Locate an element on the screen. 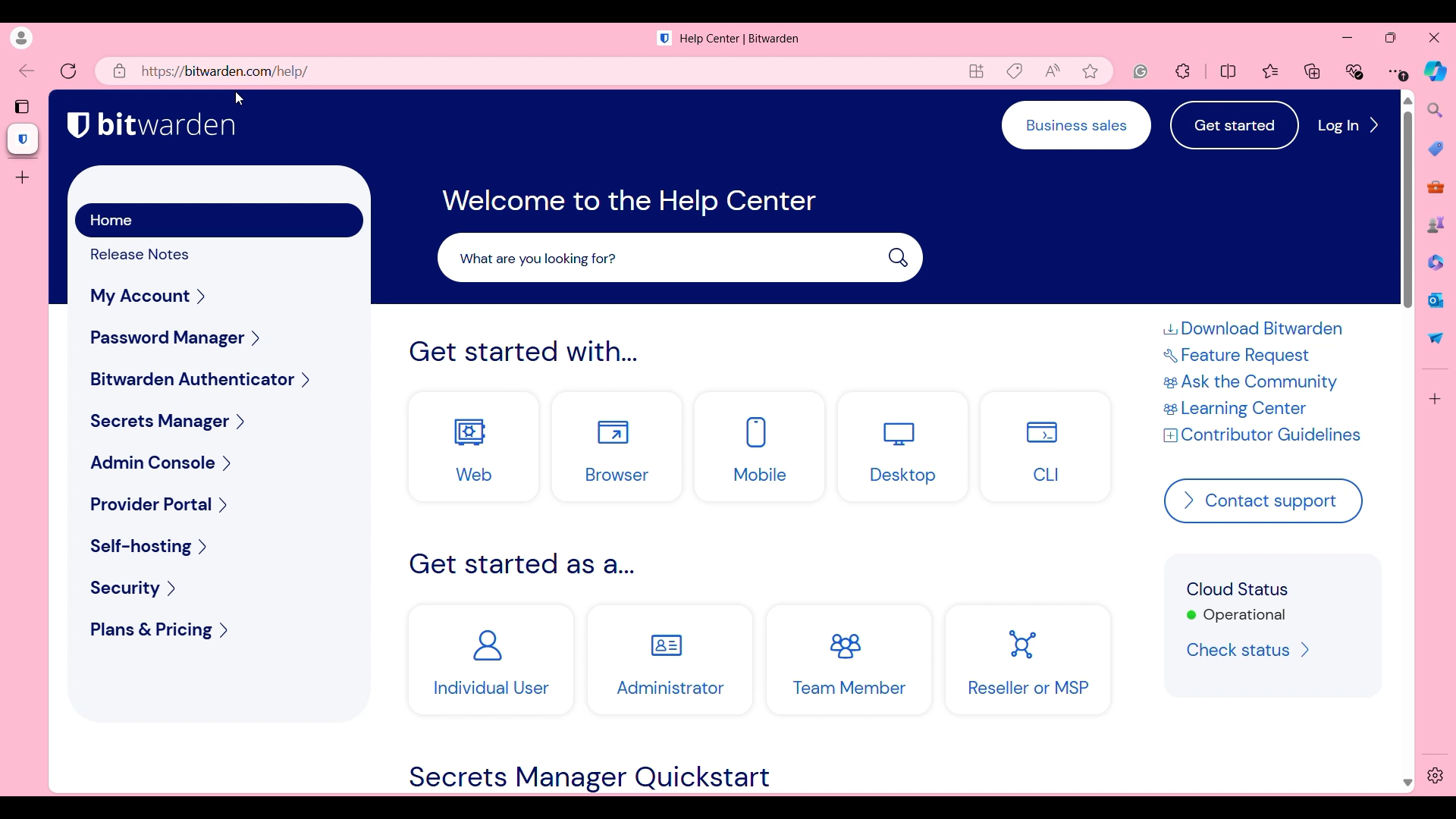  Go back  is located at coordinates (27, 71).